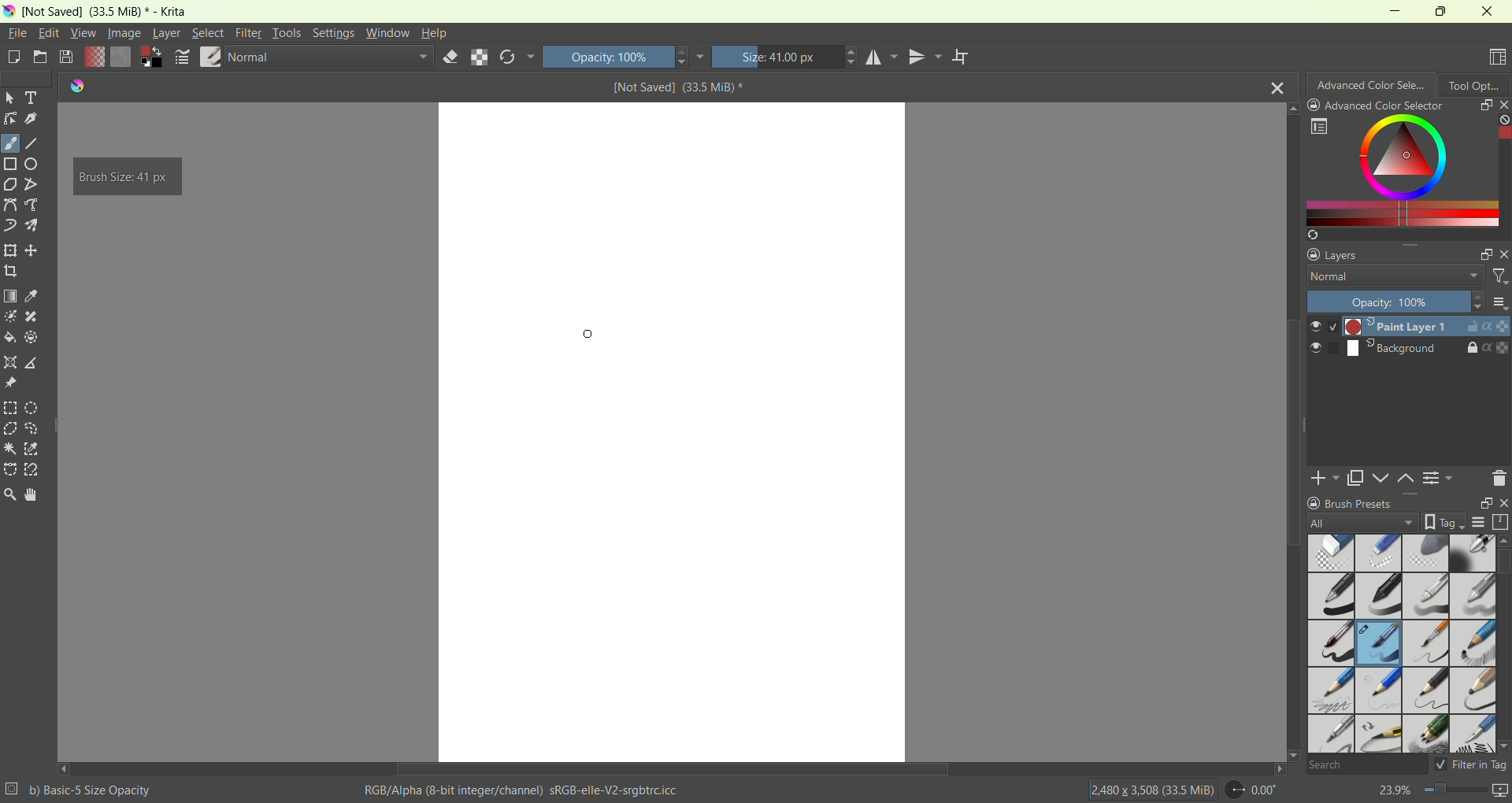 The width and height of the screenshot is (1512, 803). What do you see at coordinates (1376, 105) in the screenshot?
I see `advanced color selector` at bounding box center [1376, 105].